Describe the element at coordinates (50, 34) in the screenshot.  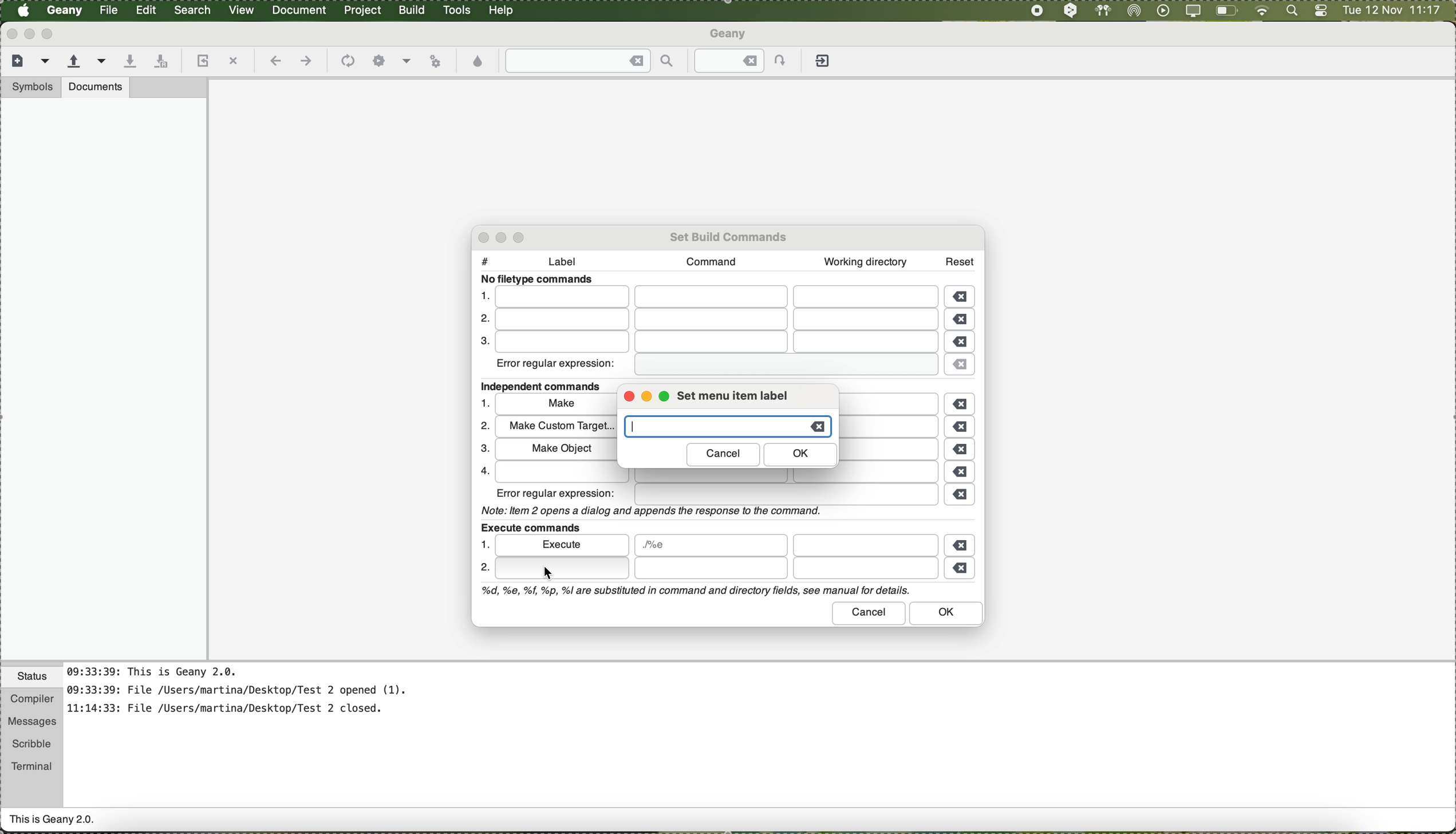
I see `maximize` at that location.